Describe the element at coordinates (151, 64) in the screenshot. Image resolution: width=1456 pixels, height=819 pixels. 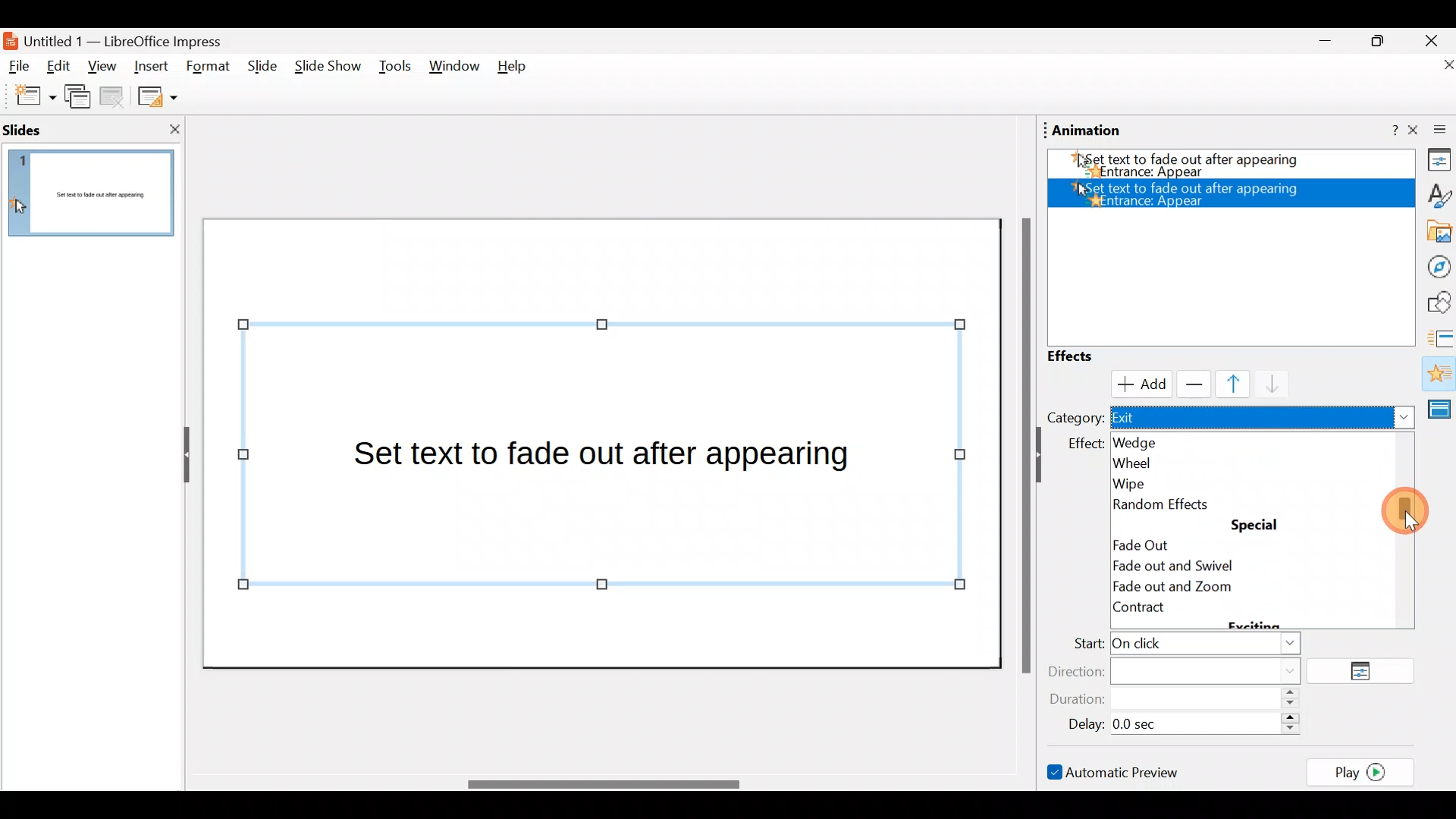
I see `Insert` at that location.